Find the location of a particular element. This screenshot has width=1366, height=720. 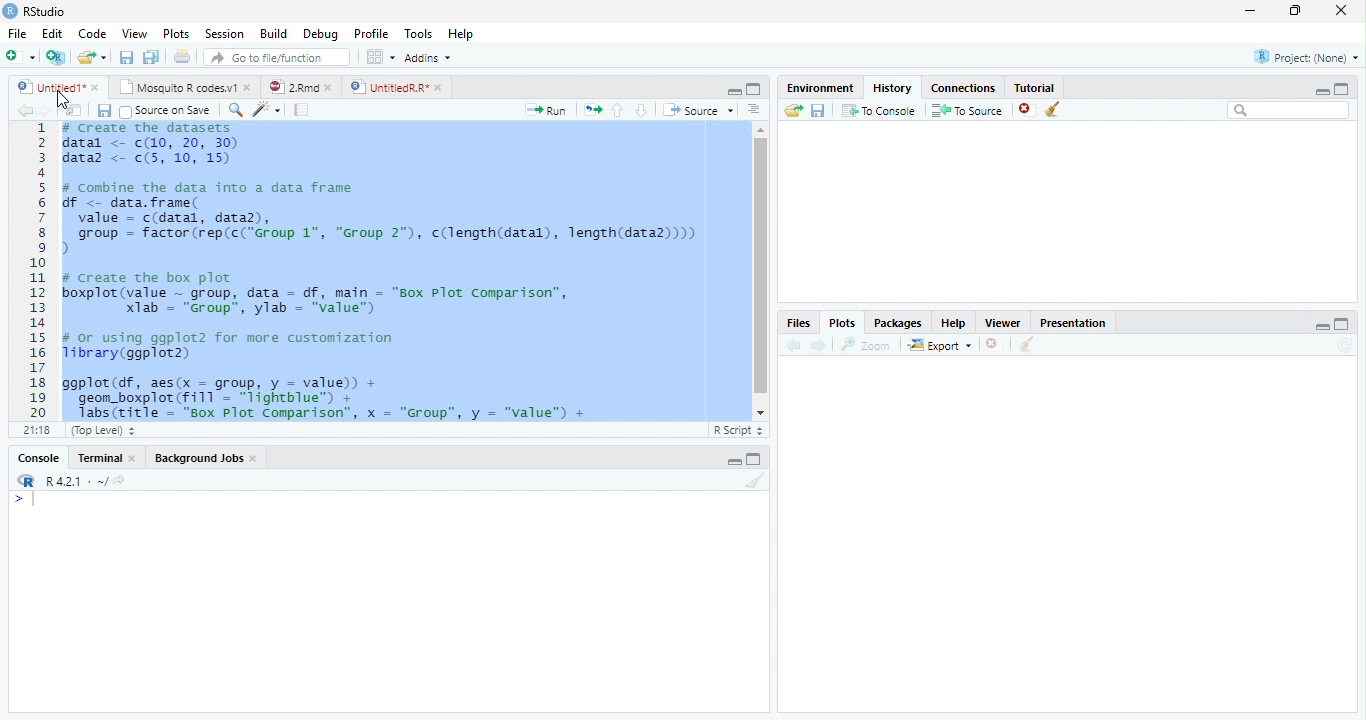

To Source is located at coordinates (968, 110).